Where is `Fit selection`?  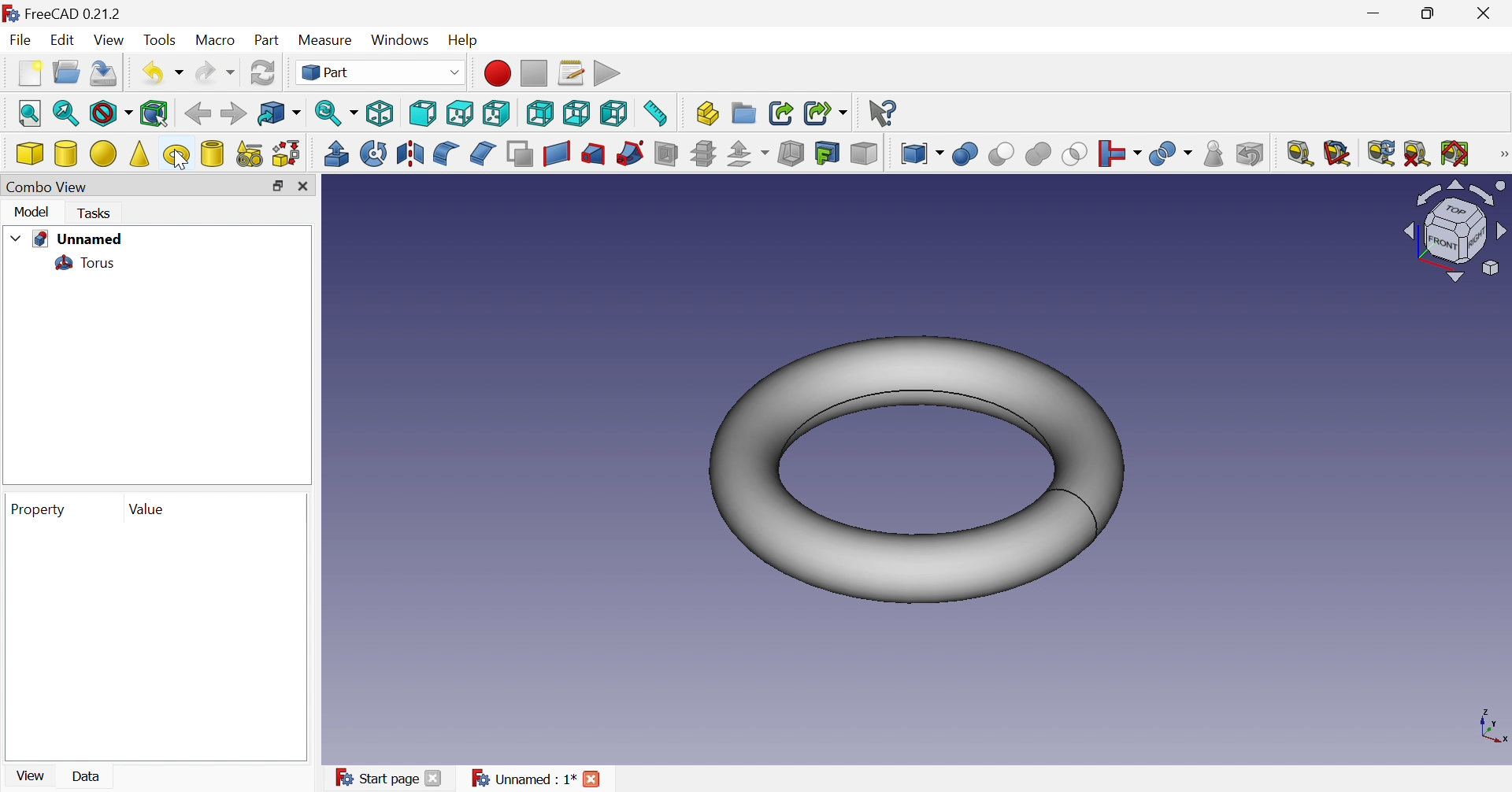
Fit selection is located at coordinates (65, 113).